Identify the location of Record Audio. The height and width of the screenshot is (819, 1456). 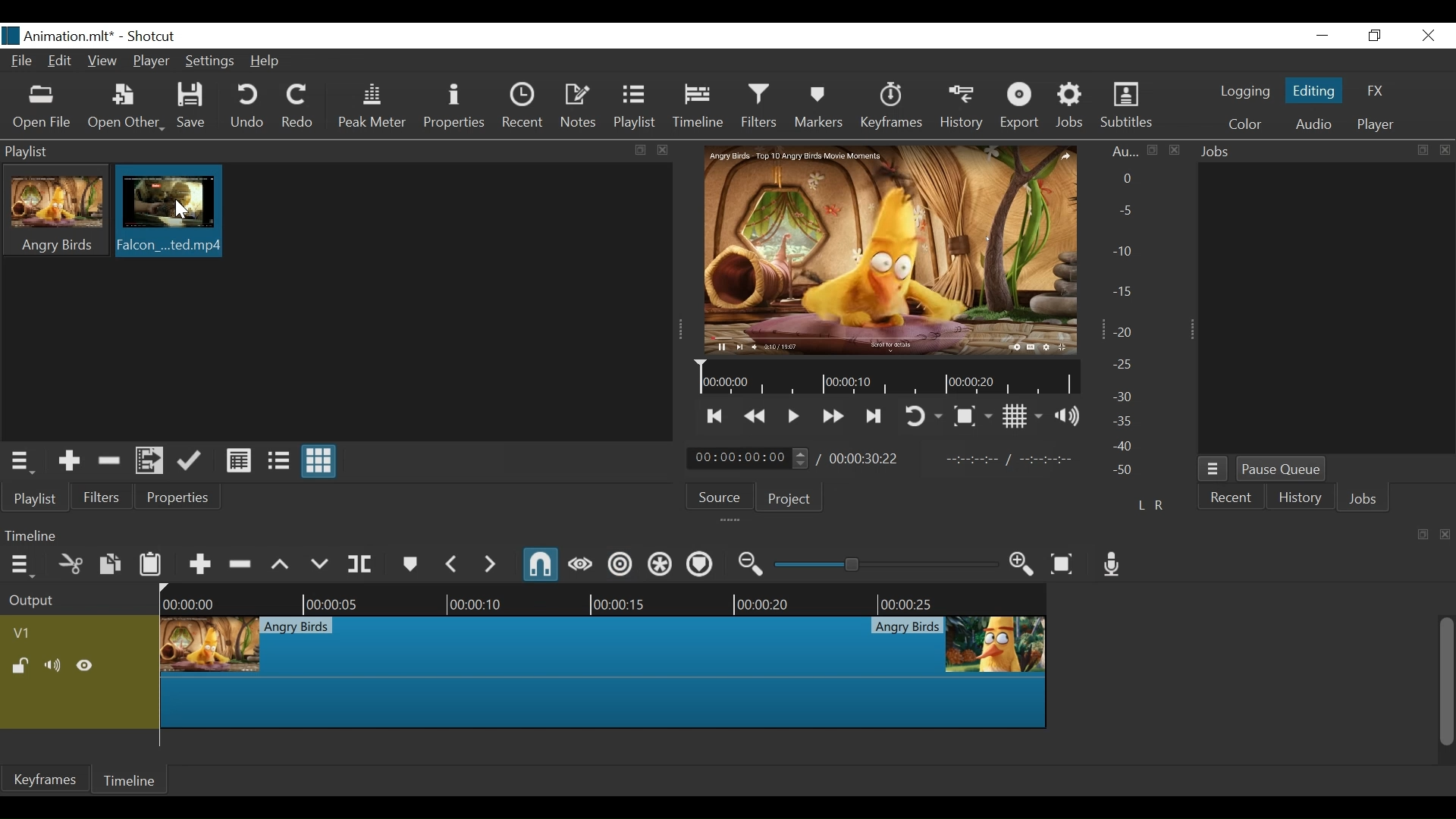
(1112, 565).